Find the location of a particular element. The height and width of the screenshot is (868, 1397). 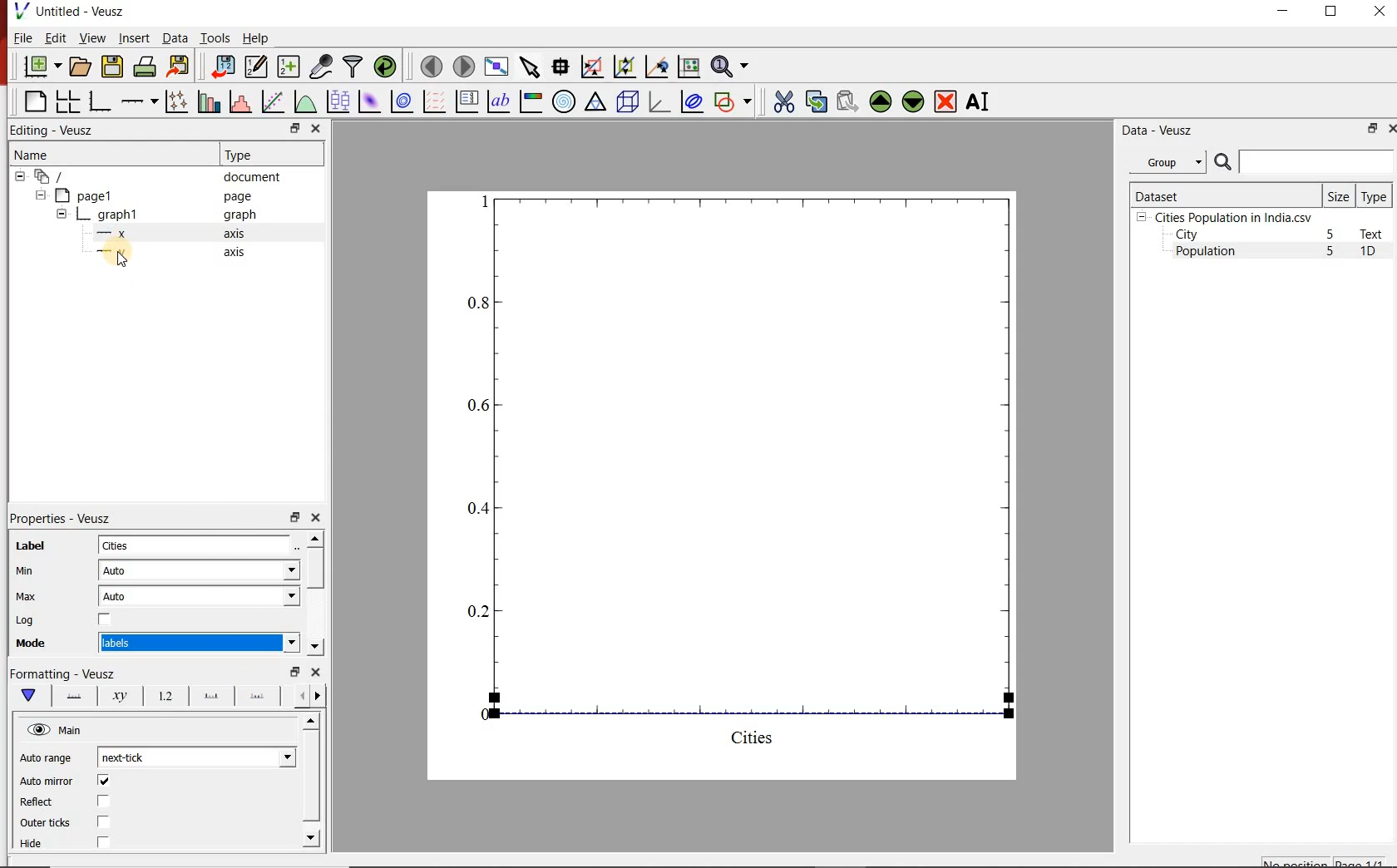

Help is located at coordinates (257, 37).